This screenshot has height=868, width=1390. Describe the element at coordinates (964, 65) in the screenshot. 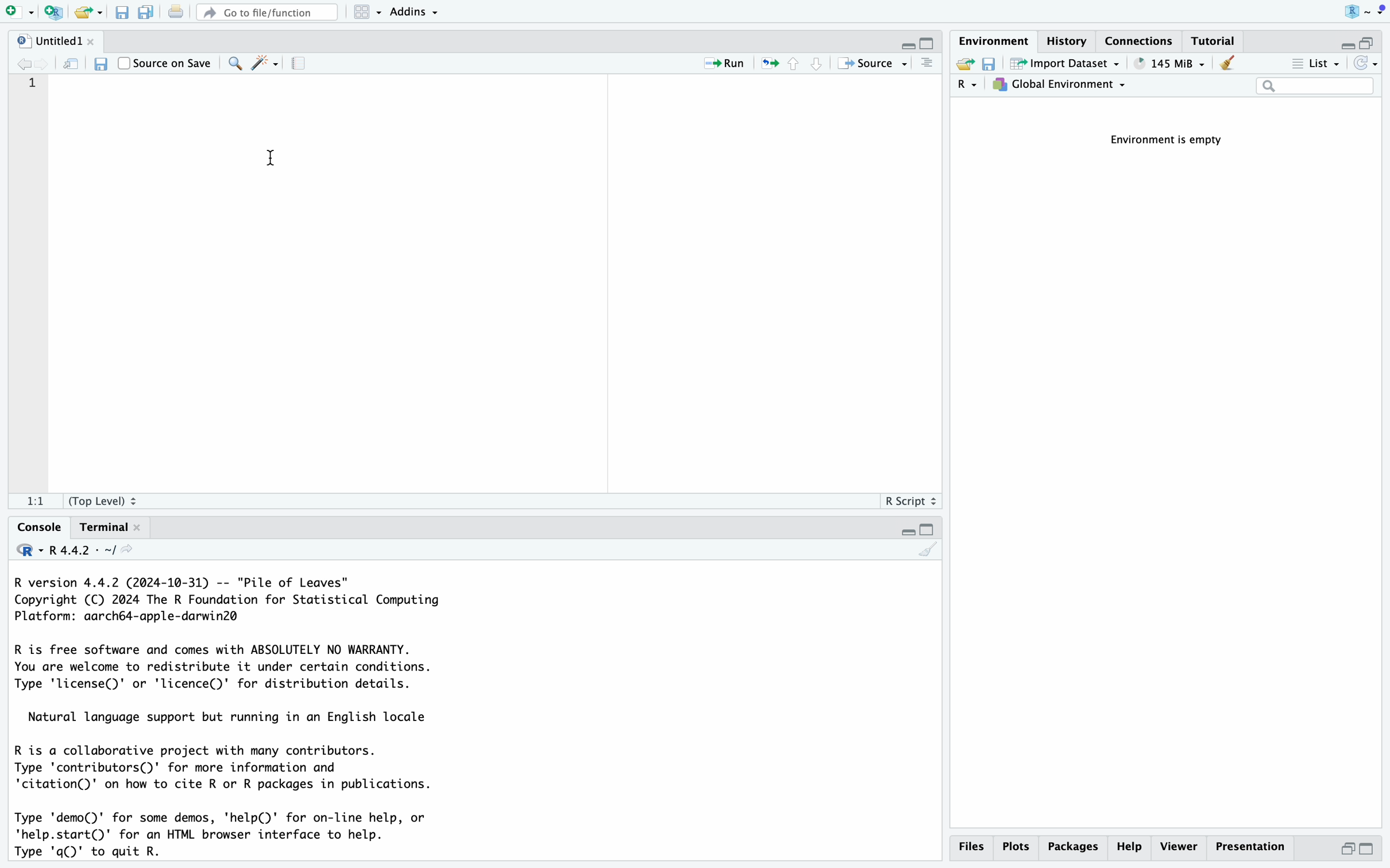

I see `load workspace` at that location.